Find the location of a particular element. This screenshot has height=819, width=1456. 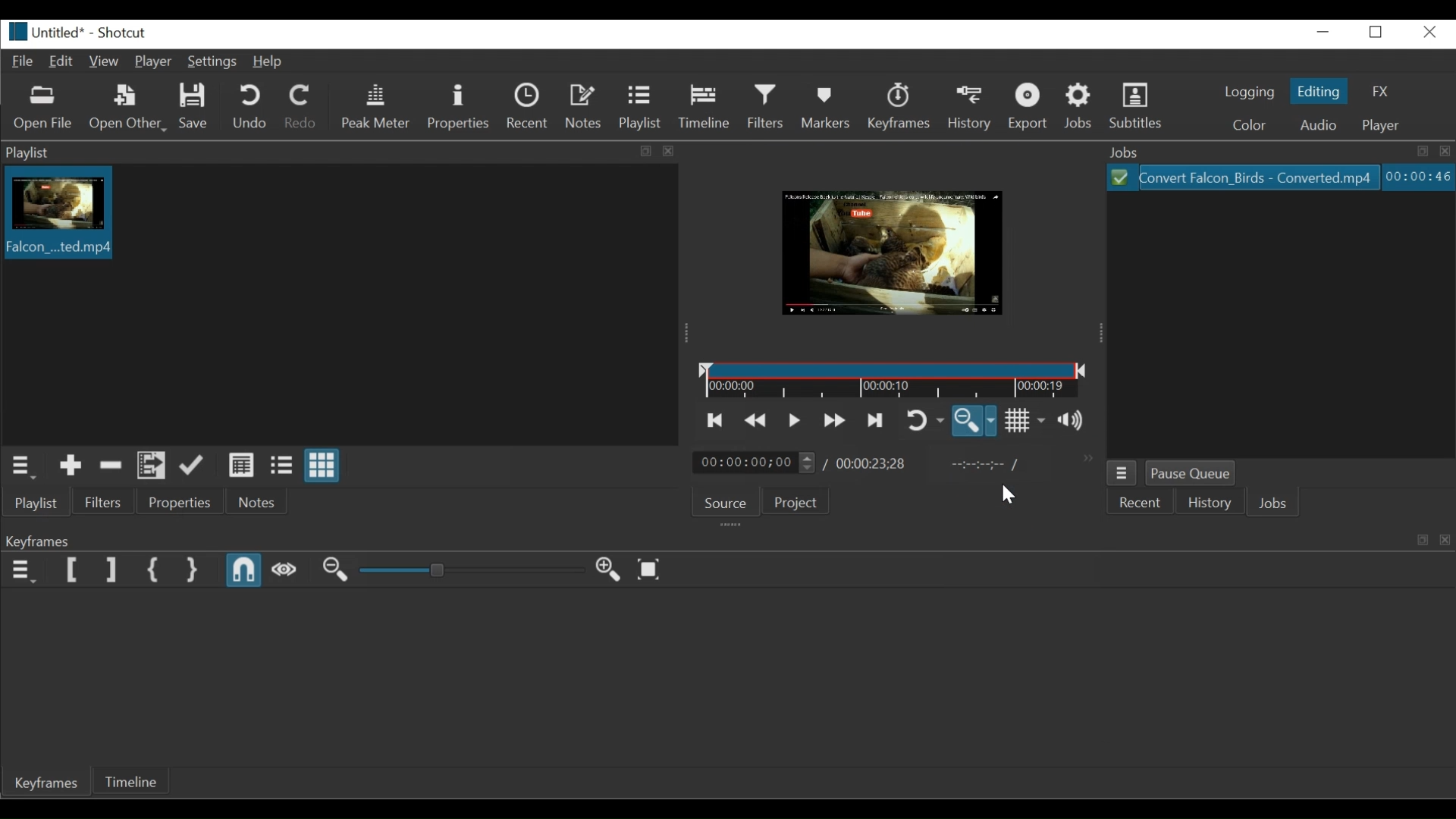

minimize is located at coordinates (1323, 30).